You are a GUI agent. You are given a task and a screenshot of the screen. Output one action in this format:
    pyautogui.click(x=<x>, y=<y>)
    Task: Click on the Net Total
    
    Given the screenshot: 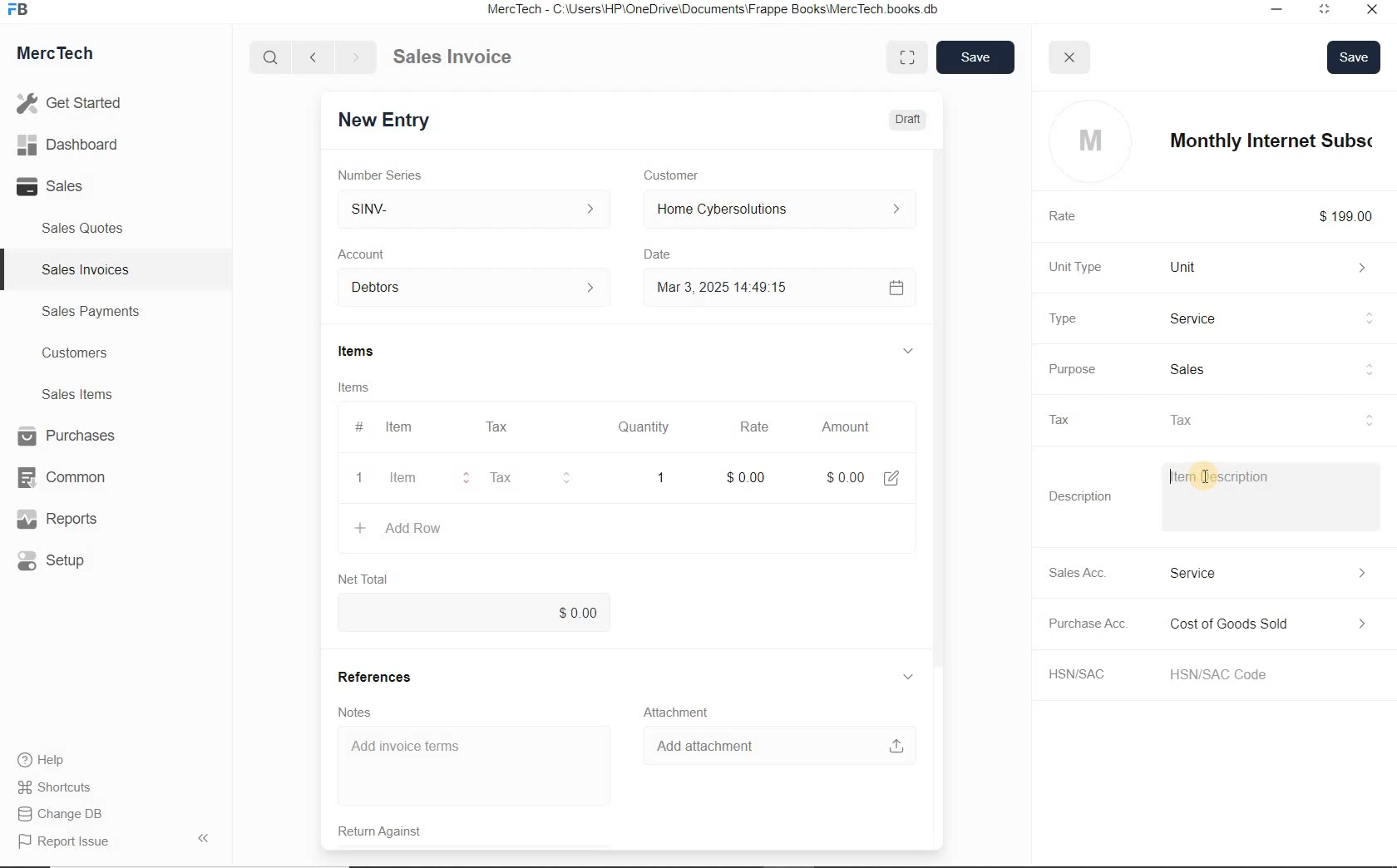 What is the action you would take?
    pyautogui.click(x=362, y=579)
    